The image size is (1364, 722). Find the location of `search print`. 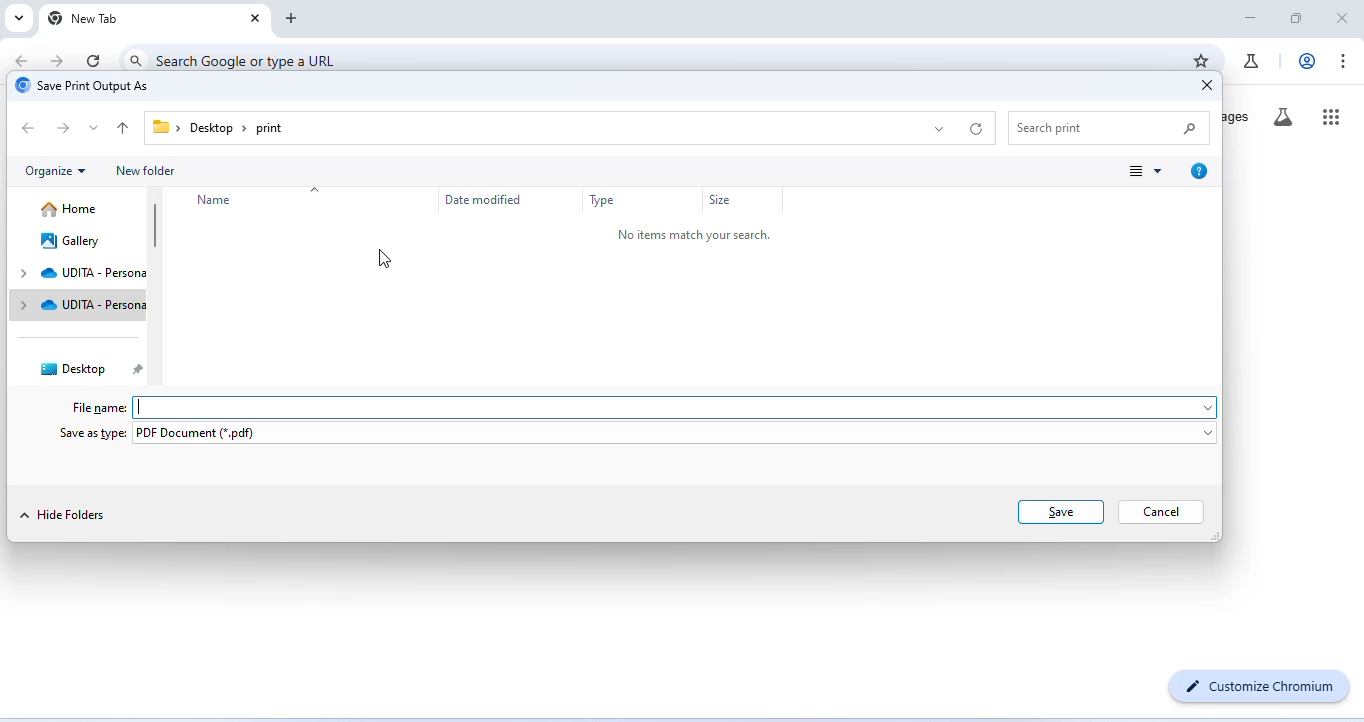

search print is located at coordinates (1110, 126).